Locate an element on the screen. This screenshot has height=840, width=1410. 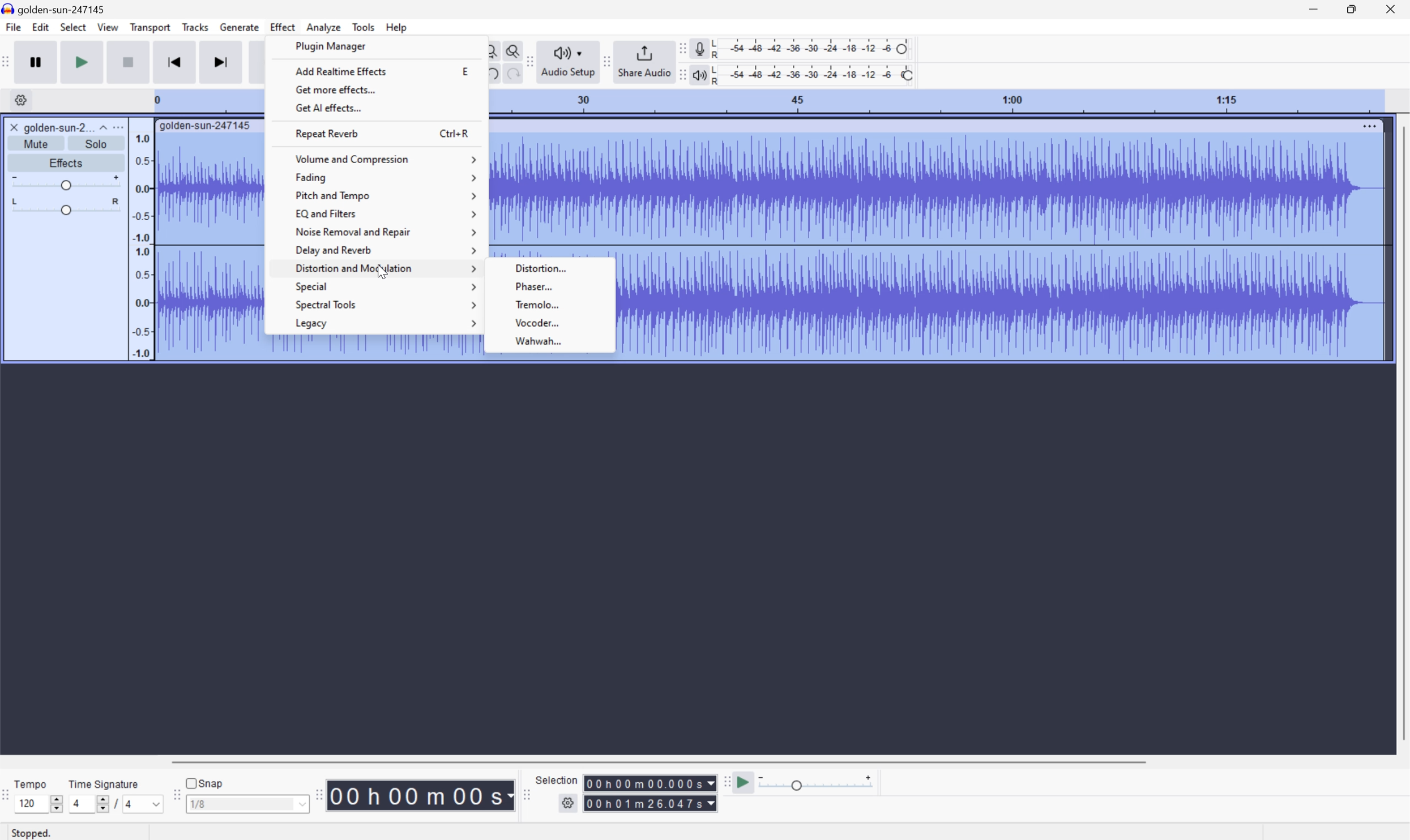
Selection is located at coordinates (556, 779).